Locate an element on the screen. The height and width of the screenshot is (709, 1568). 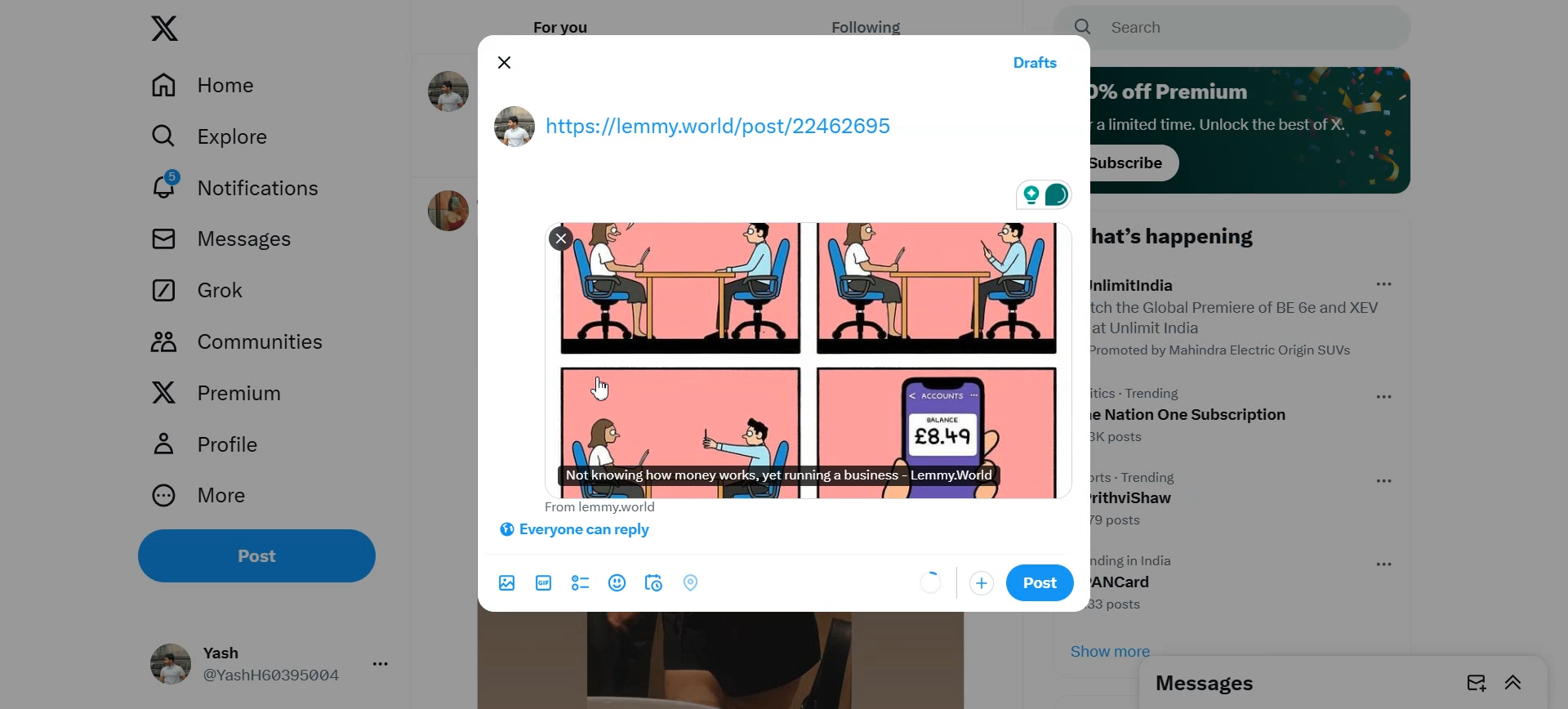
Text is located at coordinates (598, 507).